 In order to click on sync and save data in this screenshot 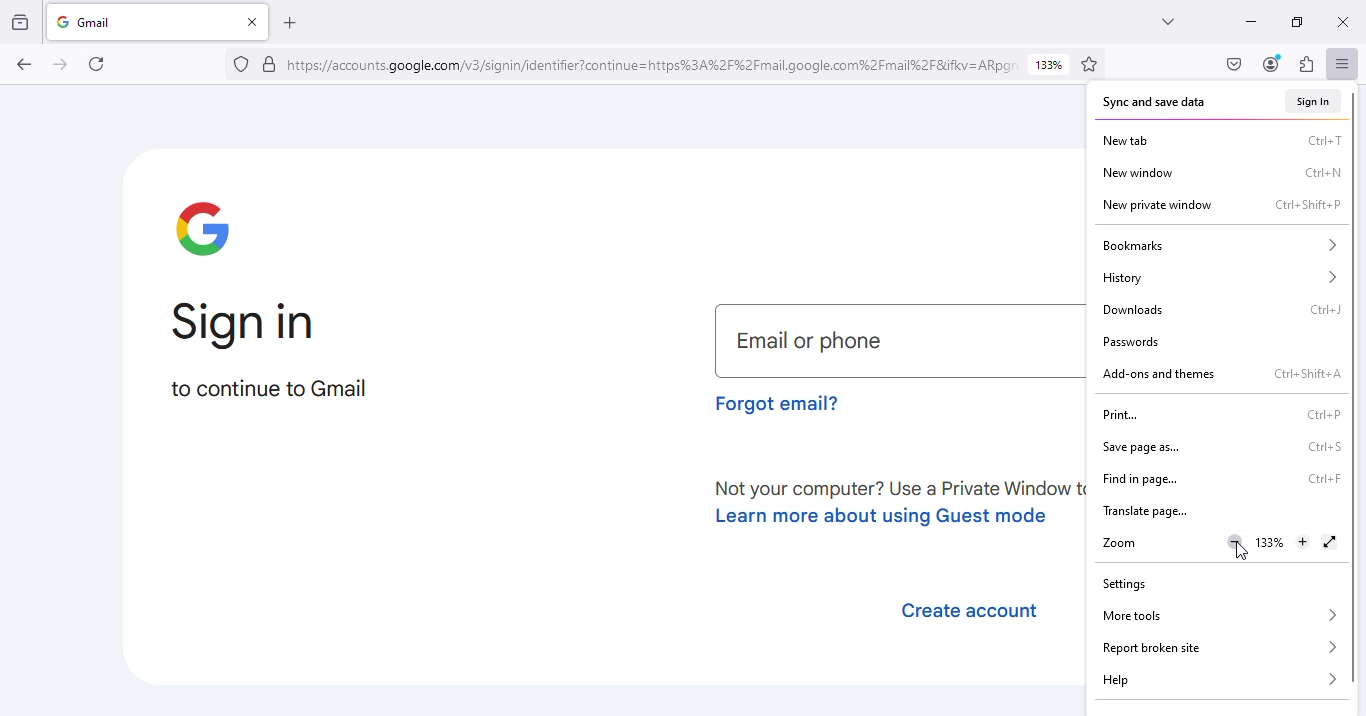, I will do `click(1153, 102)`.